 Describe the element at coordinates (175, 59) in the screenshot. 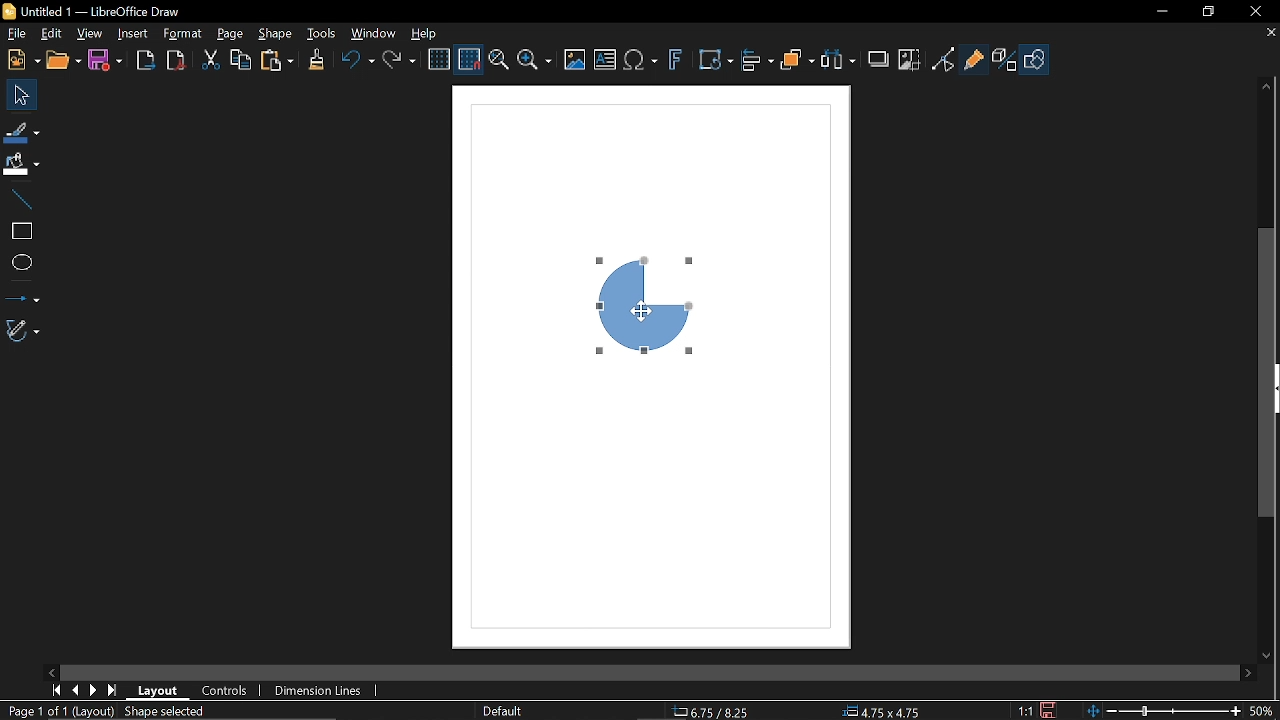

I see `Export to pdf` at that location.